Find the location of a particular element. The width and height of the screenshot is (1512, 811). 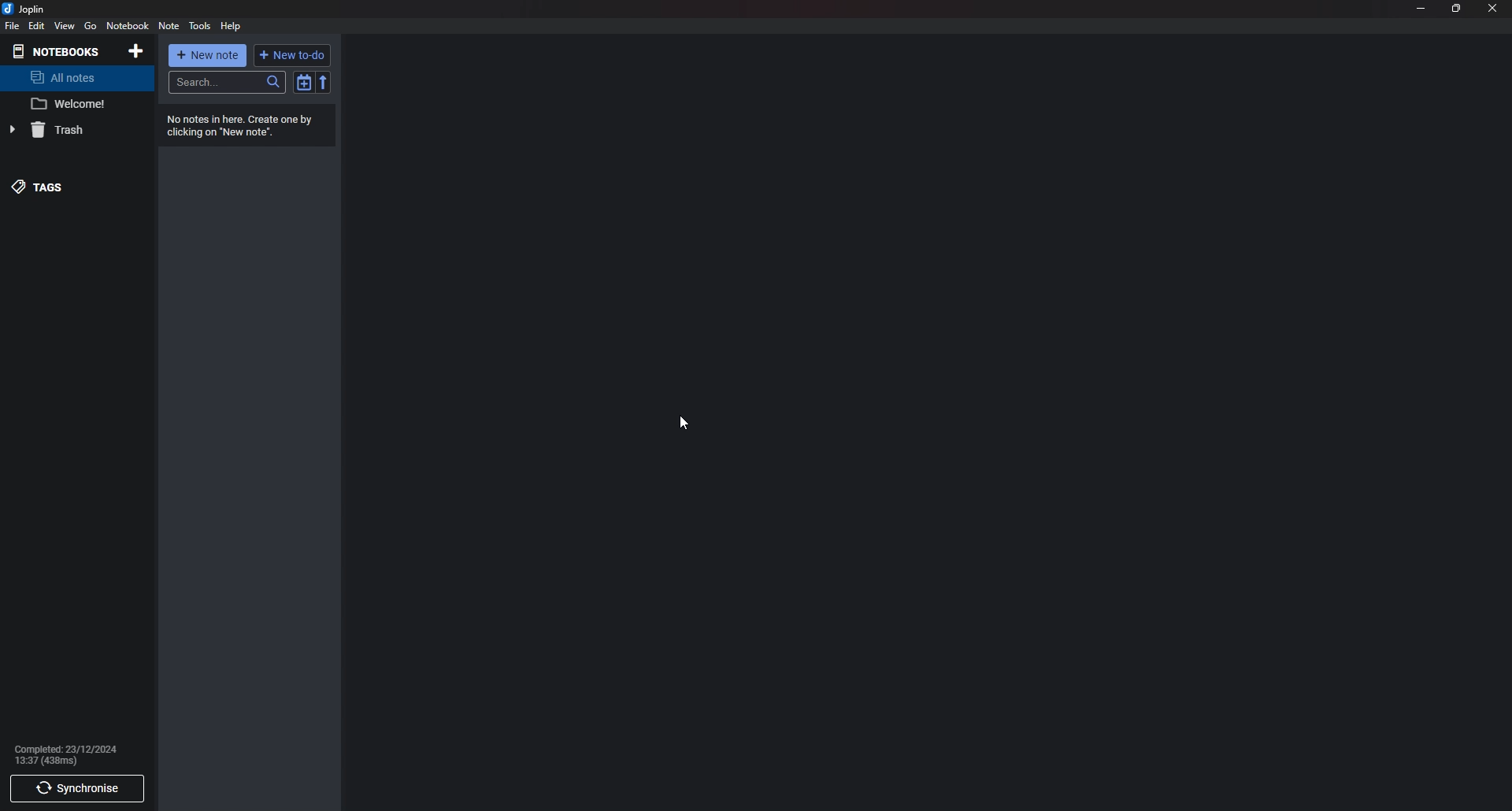

Info is located at coordinates (244, 125).